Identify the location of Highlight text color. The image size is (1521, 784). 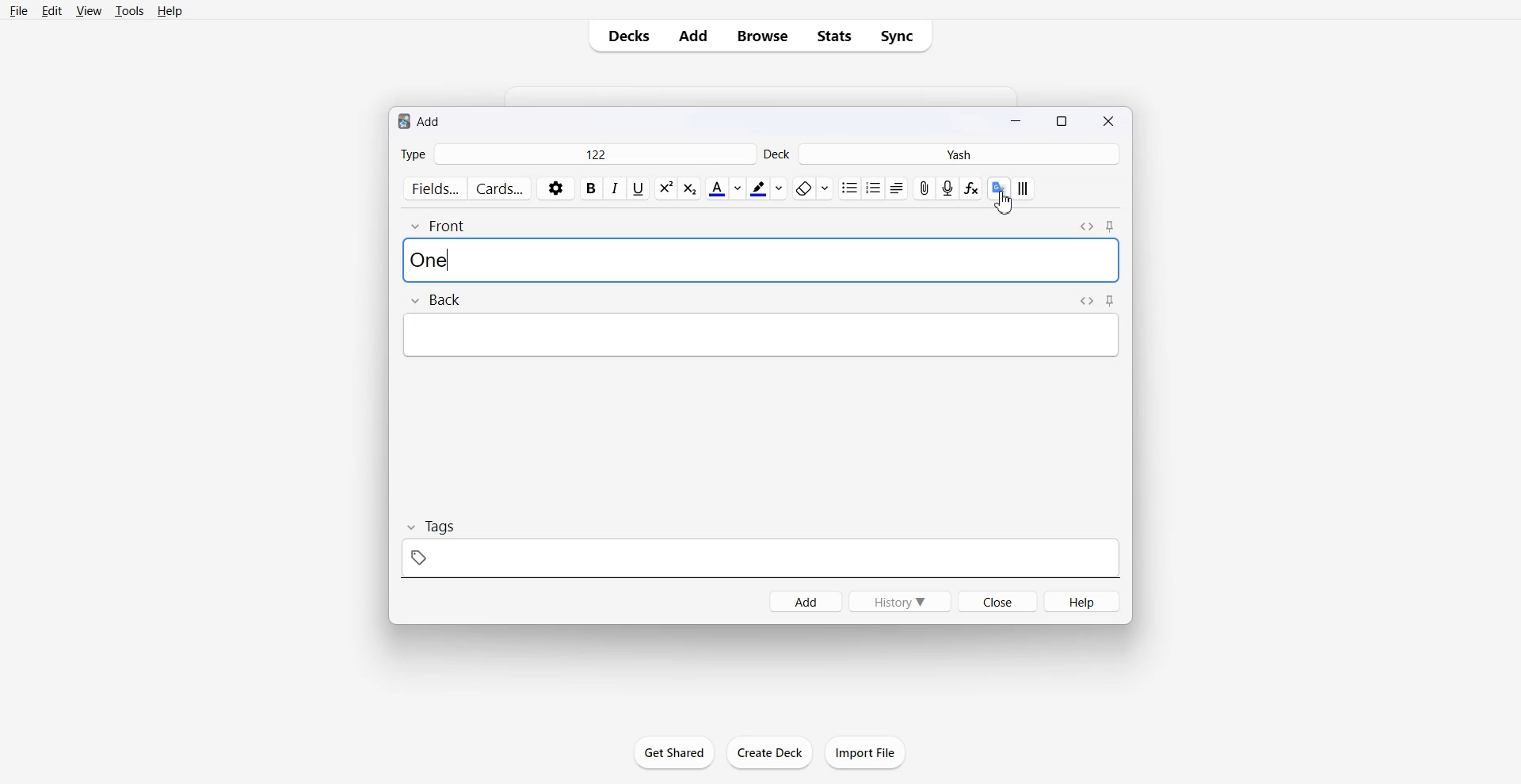
(768, 188).